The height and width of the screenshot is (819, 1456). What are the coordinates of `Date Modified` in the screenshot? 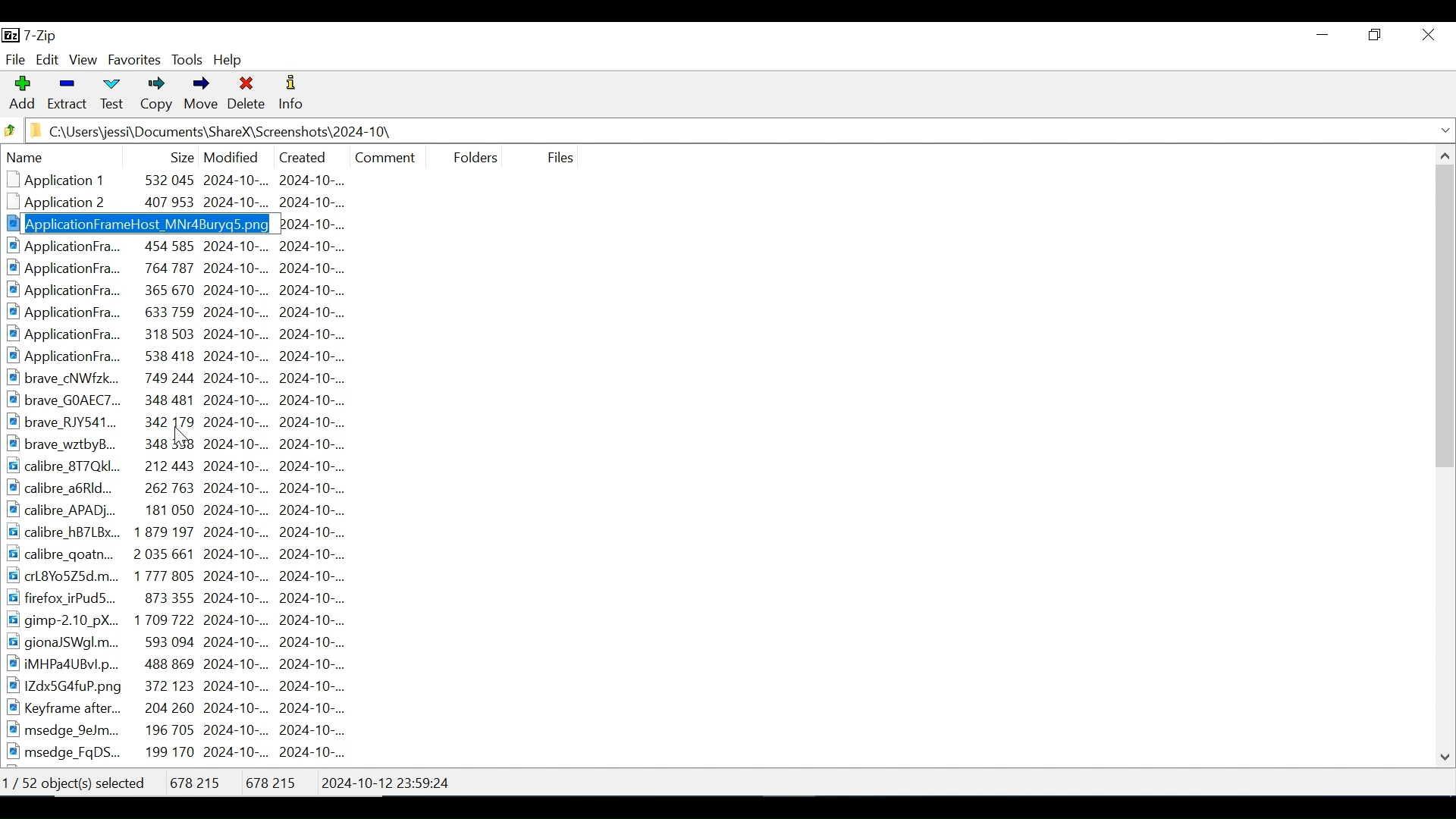 It's located at (231, 155).